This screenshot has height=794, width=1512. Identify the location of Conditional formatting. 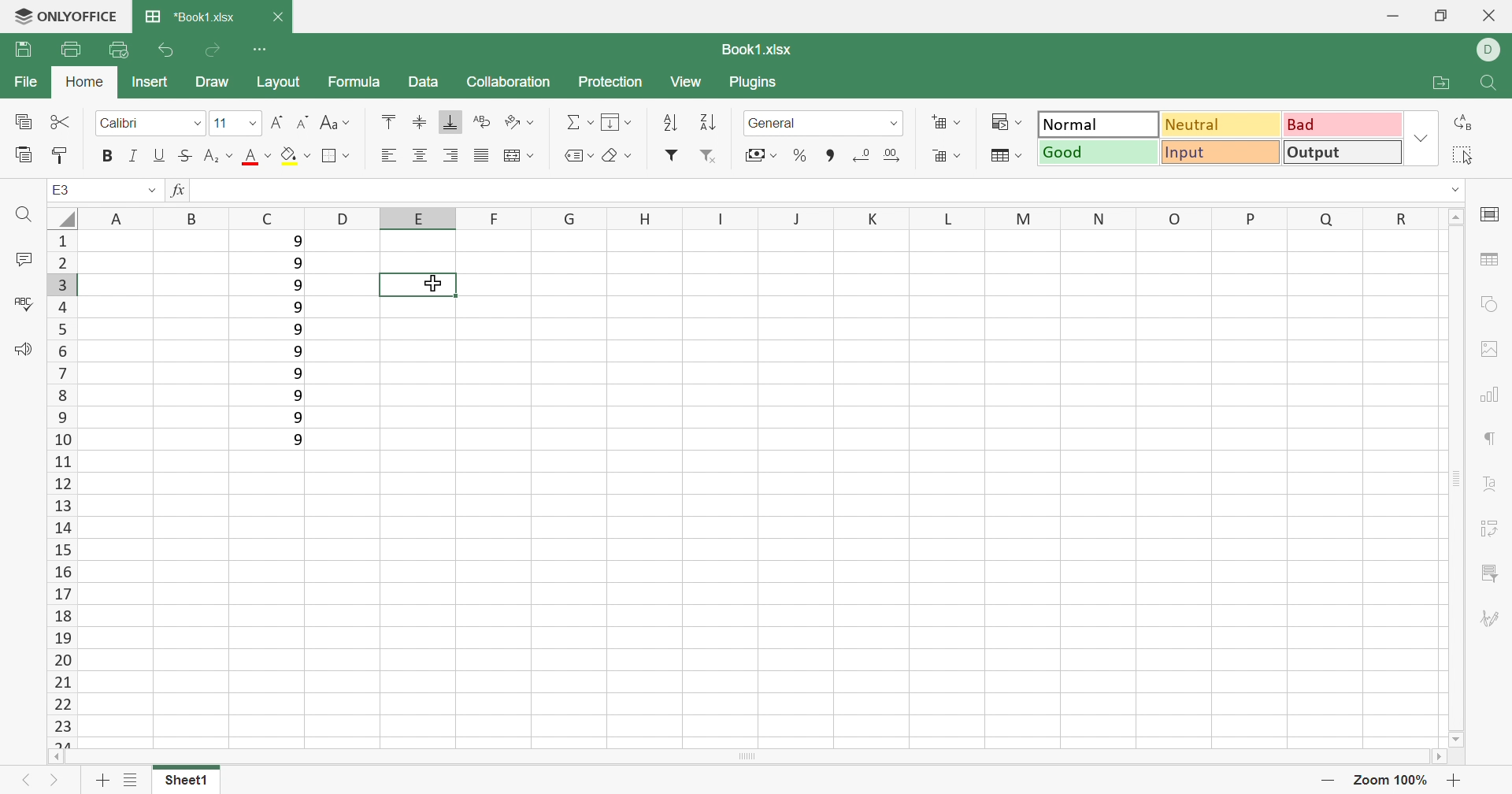
(1006, 121).